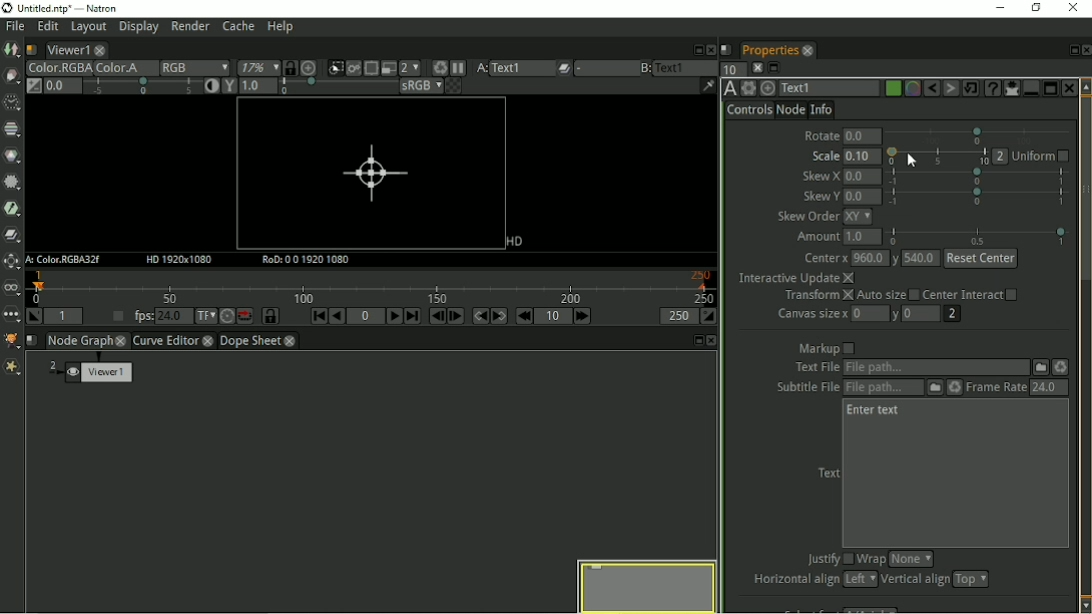 Image resolution: width=1092 pixels, height=614 pixels. I want to click on Center, so click(911, 258).